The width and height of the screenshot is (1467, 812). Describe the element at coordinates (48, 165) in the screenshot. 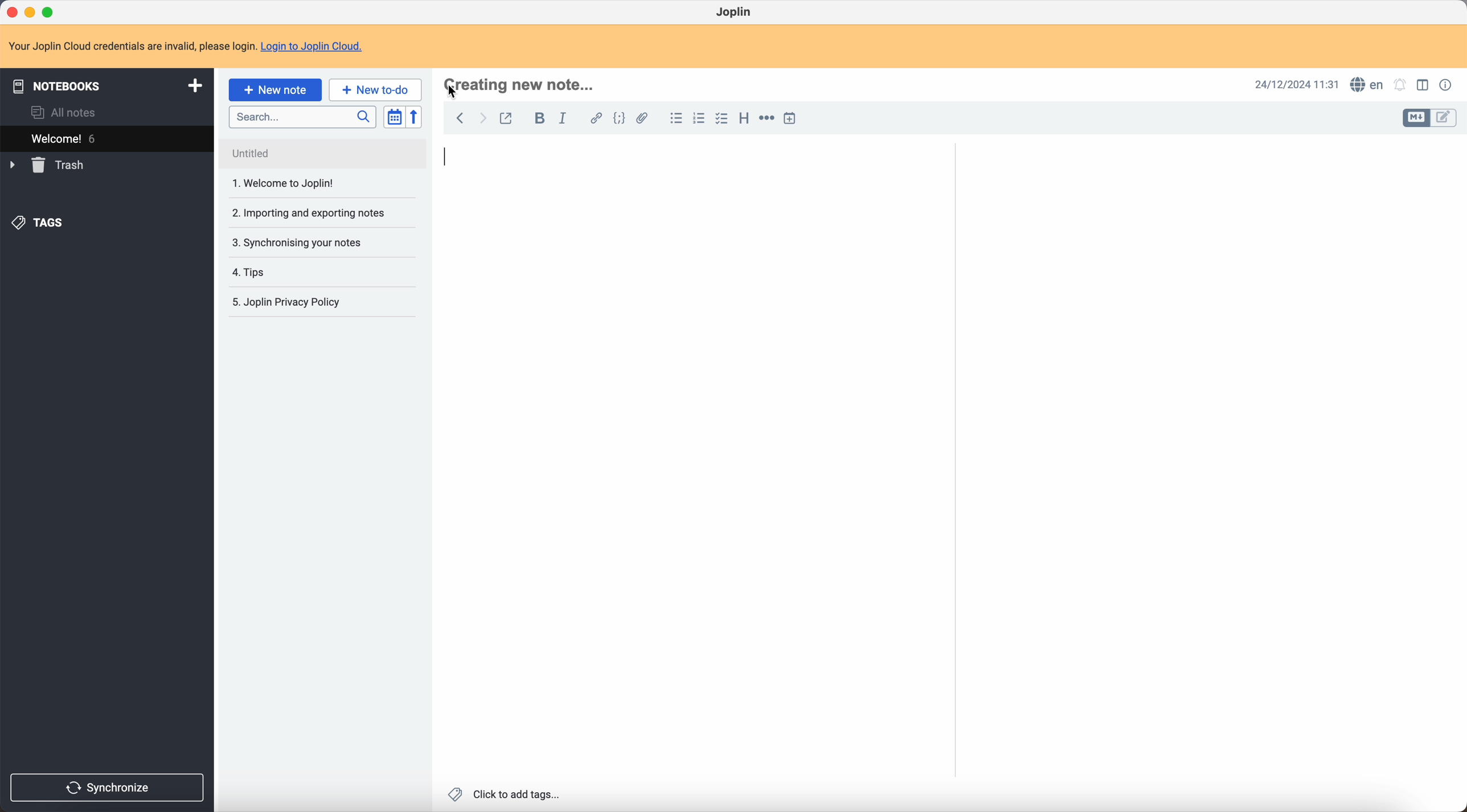

I see `trash` at that location.